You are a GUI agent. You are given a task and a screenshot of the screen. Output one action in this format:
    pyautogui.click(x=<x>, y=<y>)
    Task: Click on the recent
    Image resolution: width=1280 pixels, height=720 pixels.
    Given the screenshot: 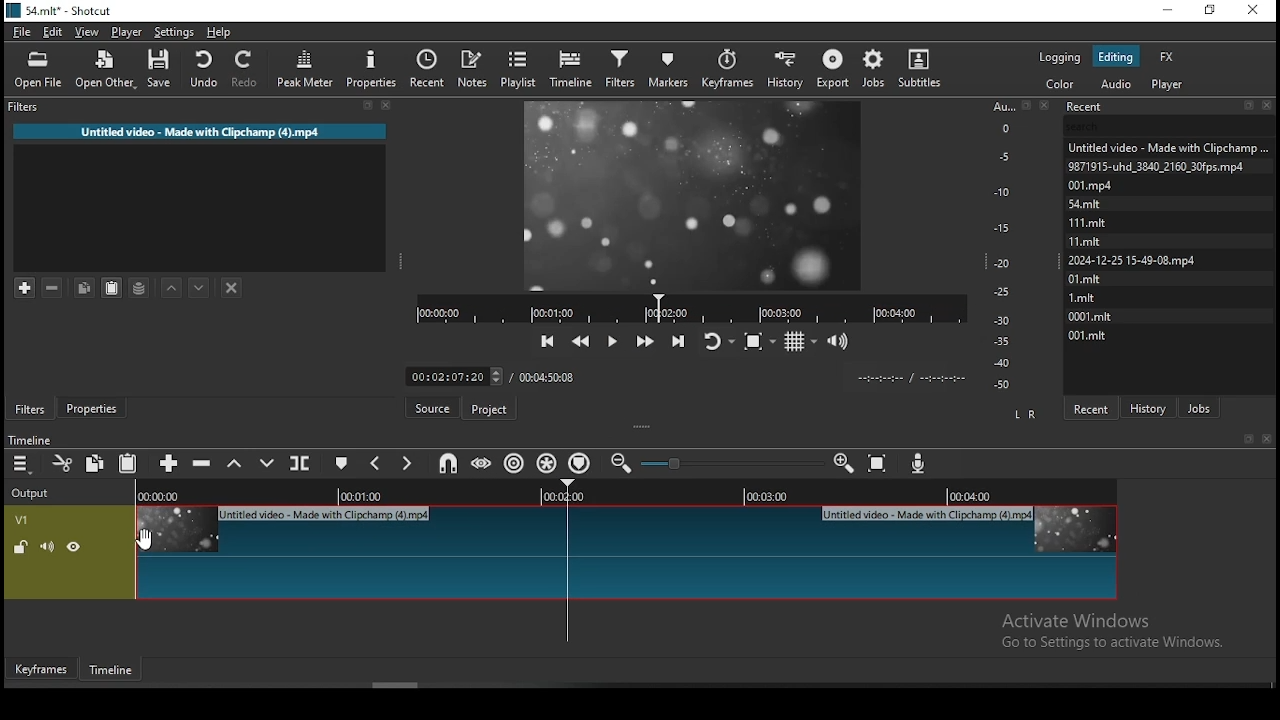 What is the action you would take?
    pyautogui.click(x=1094, y=406)
    